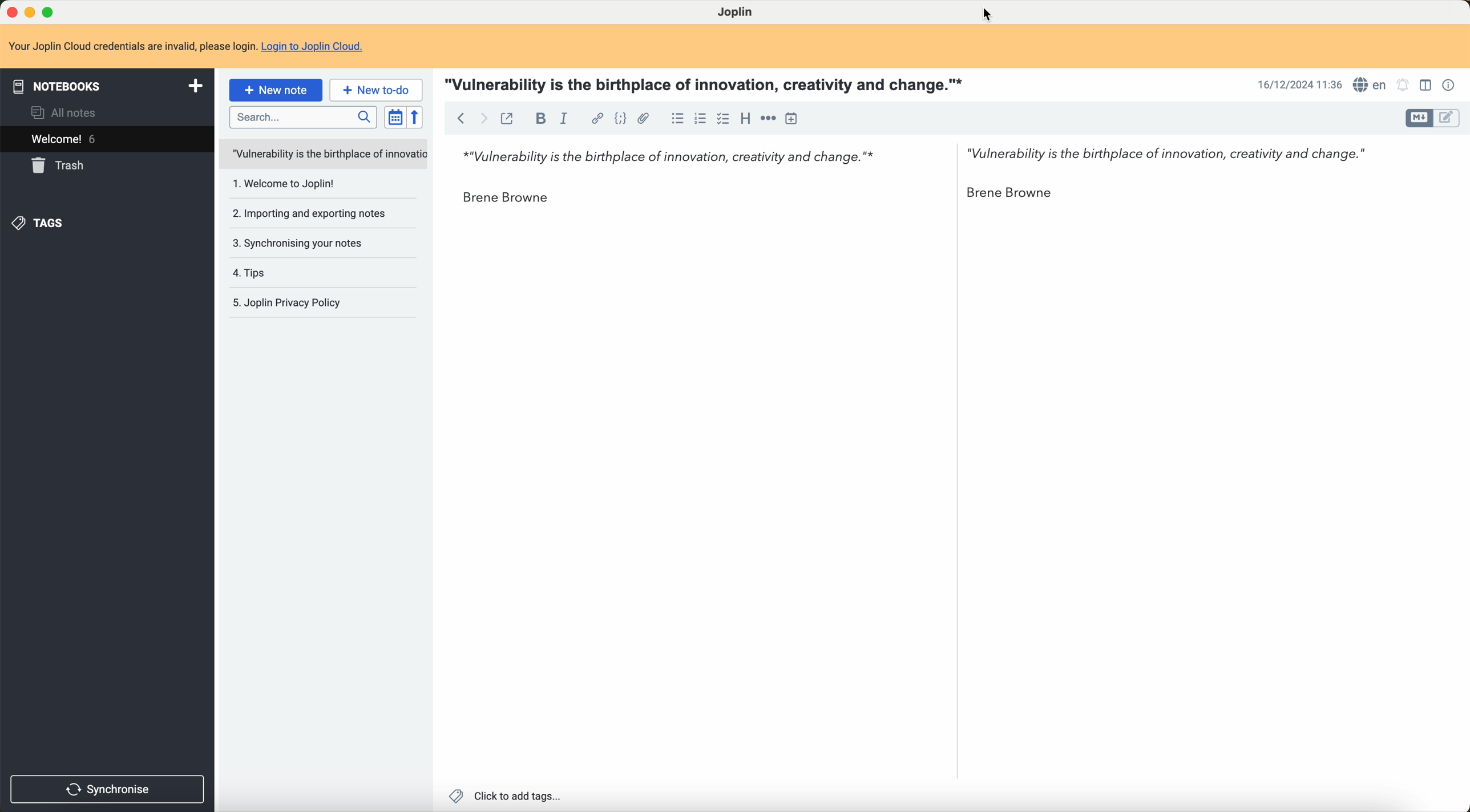  I want to click on "Vulnerability is the birthplace of innovation, creativity and change."*, so click(662, 152).